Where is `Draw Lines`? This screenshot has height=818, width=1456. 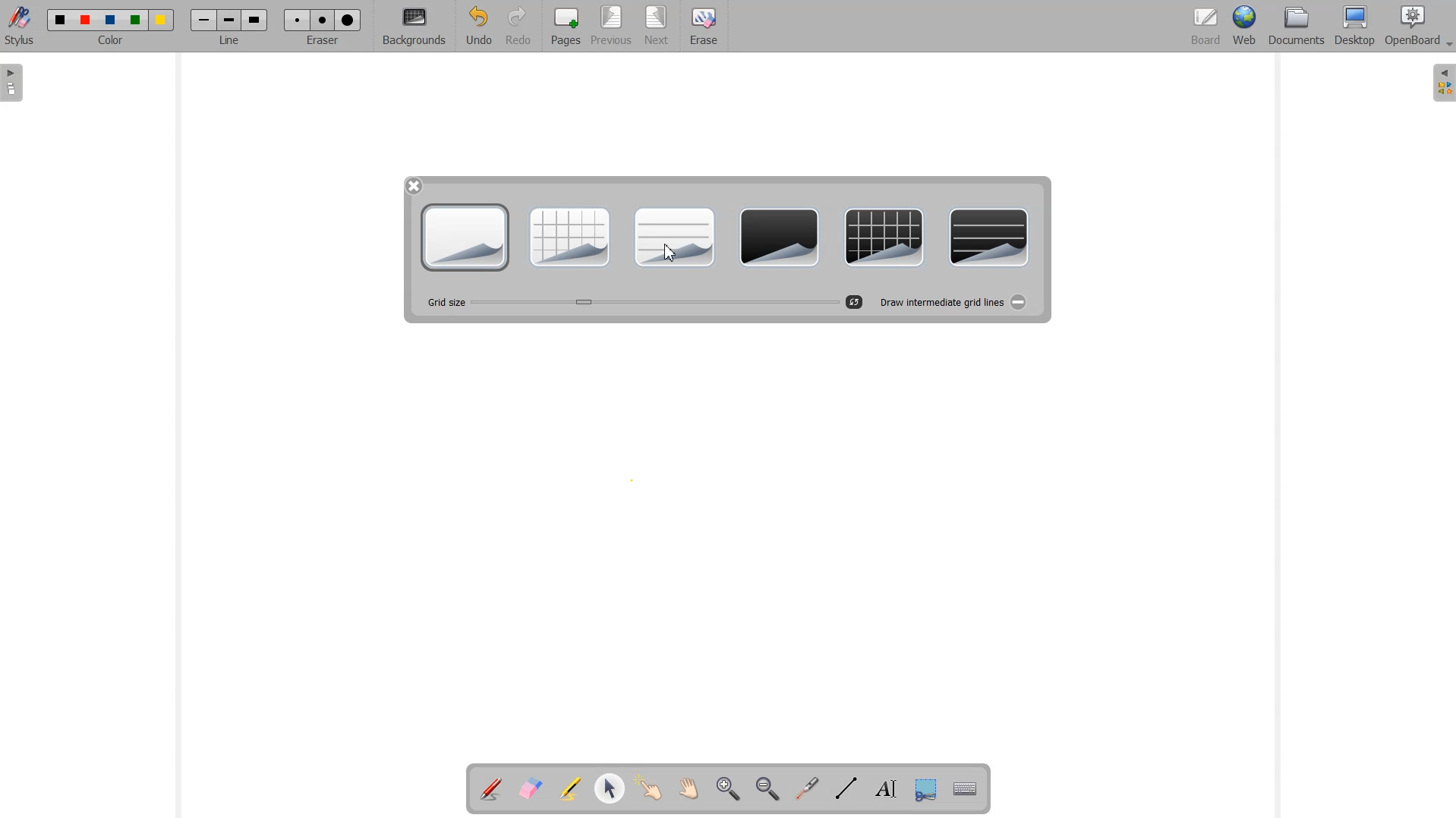 Draw Lines is located at coordinates (846, 789).